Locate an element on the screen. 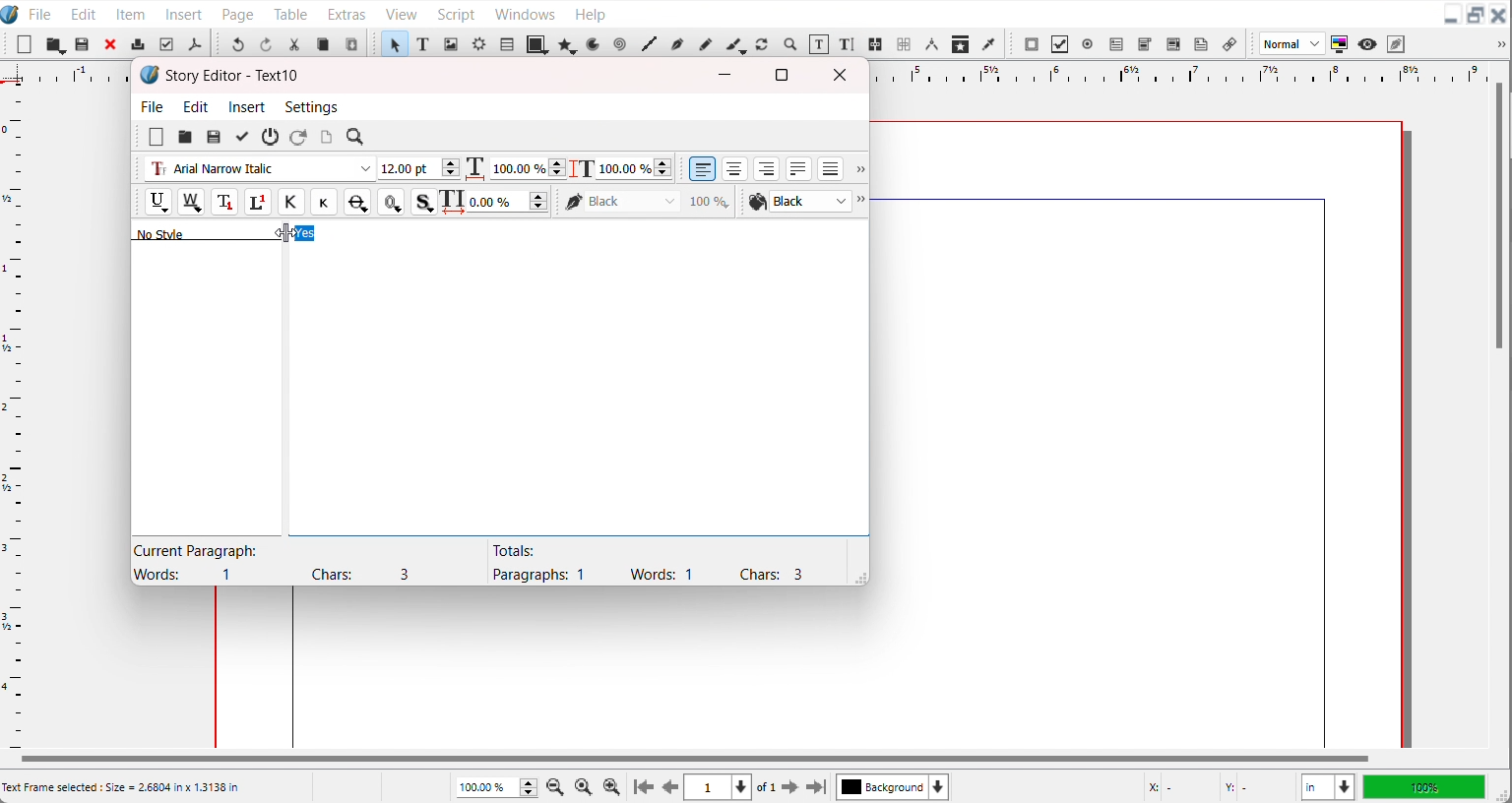 The width and height of the screenshot is (1512, 803). Copy is located at coordinates (323, 44).